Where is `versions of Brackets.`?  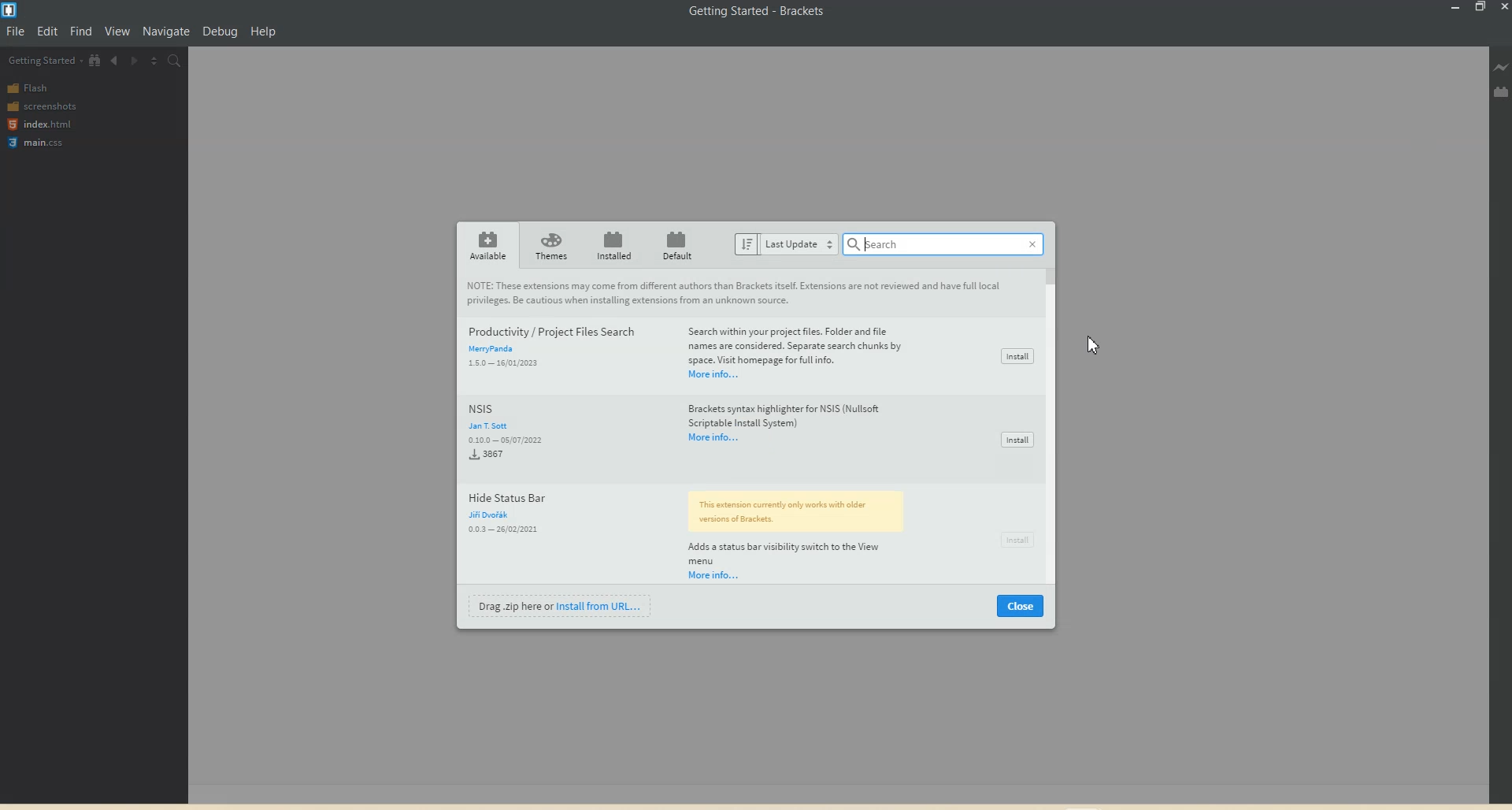
versions of Brackets. is located at coordinates (800, 507).